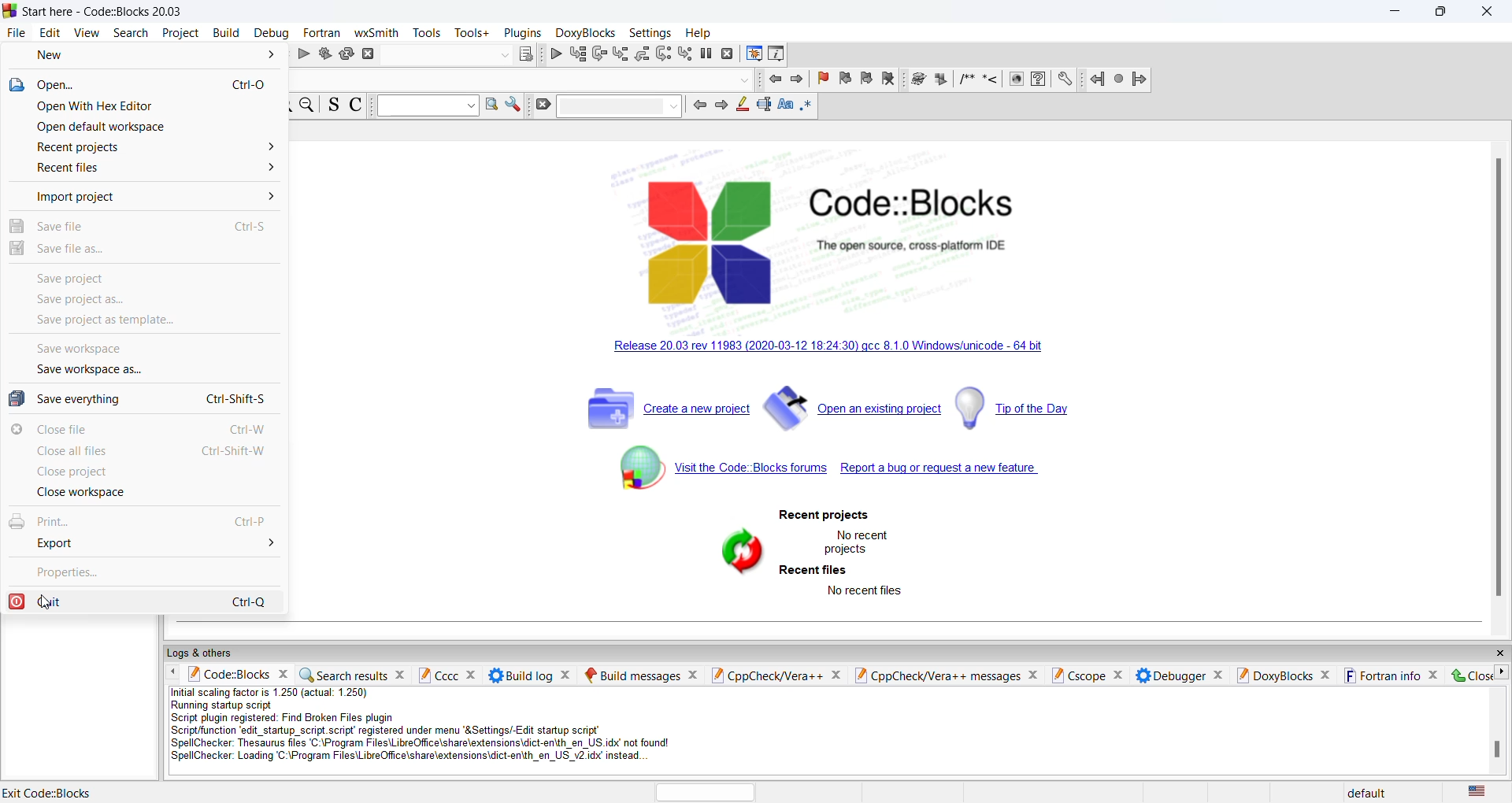 The image size is (1512, 803). Describe the element at coordinates (179, 33) in the screenshot. I see `project` at that location.